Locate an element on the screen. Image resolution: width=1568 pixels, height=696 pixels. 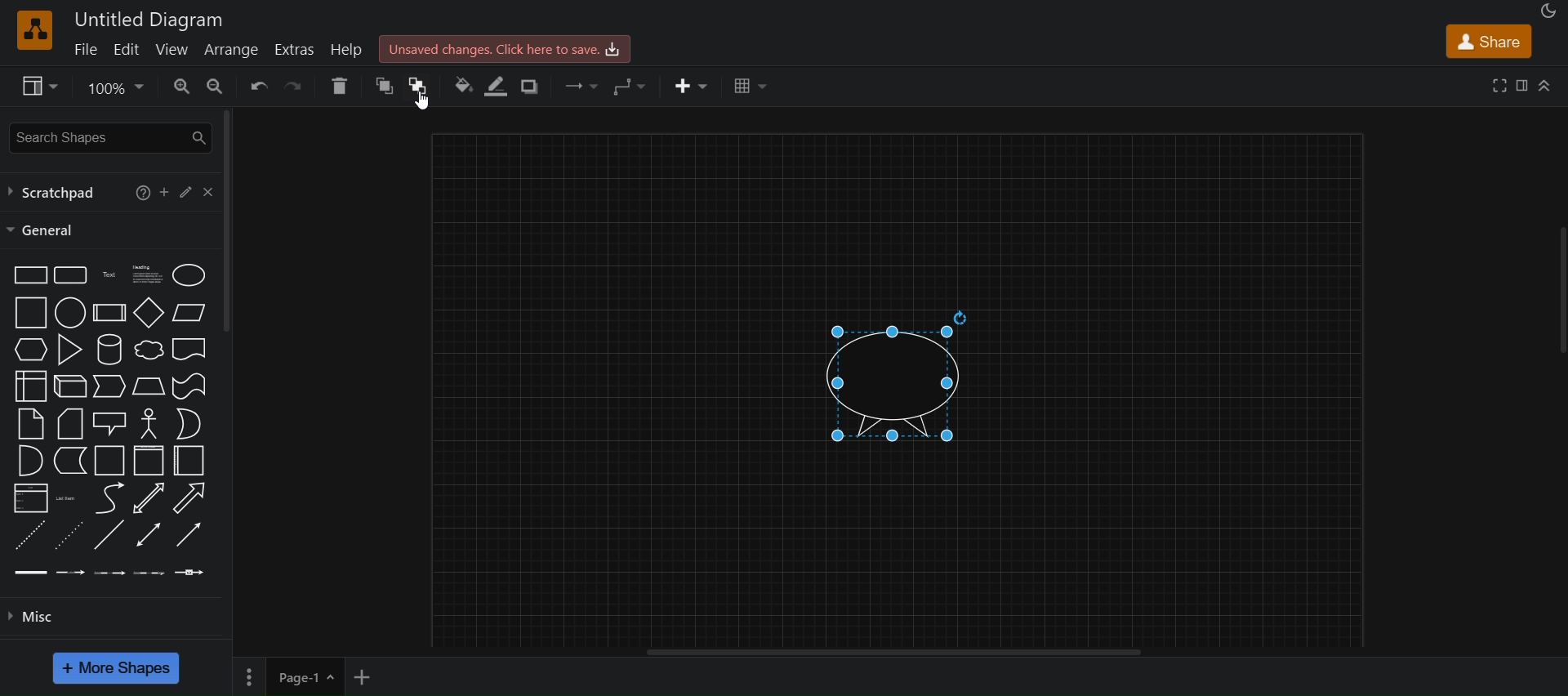
cursor is located at coordinates (422, 100).